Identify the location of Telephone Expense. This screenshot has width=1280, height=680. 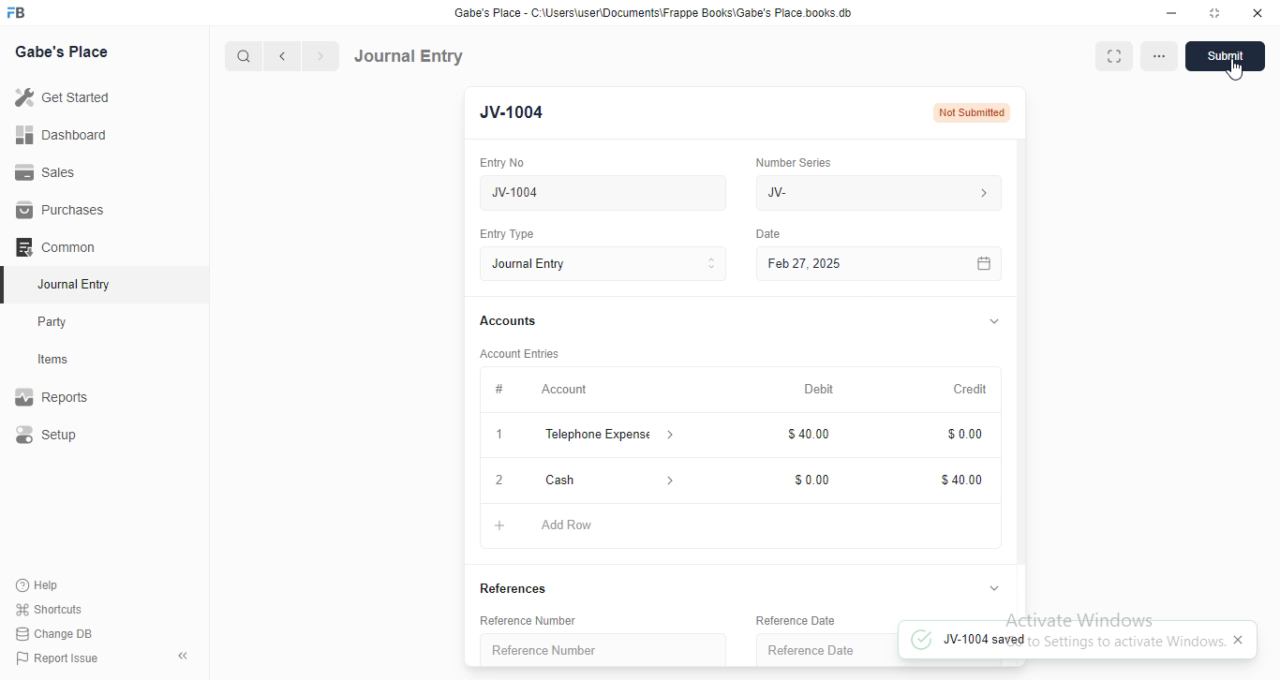
(611, 433).